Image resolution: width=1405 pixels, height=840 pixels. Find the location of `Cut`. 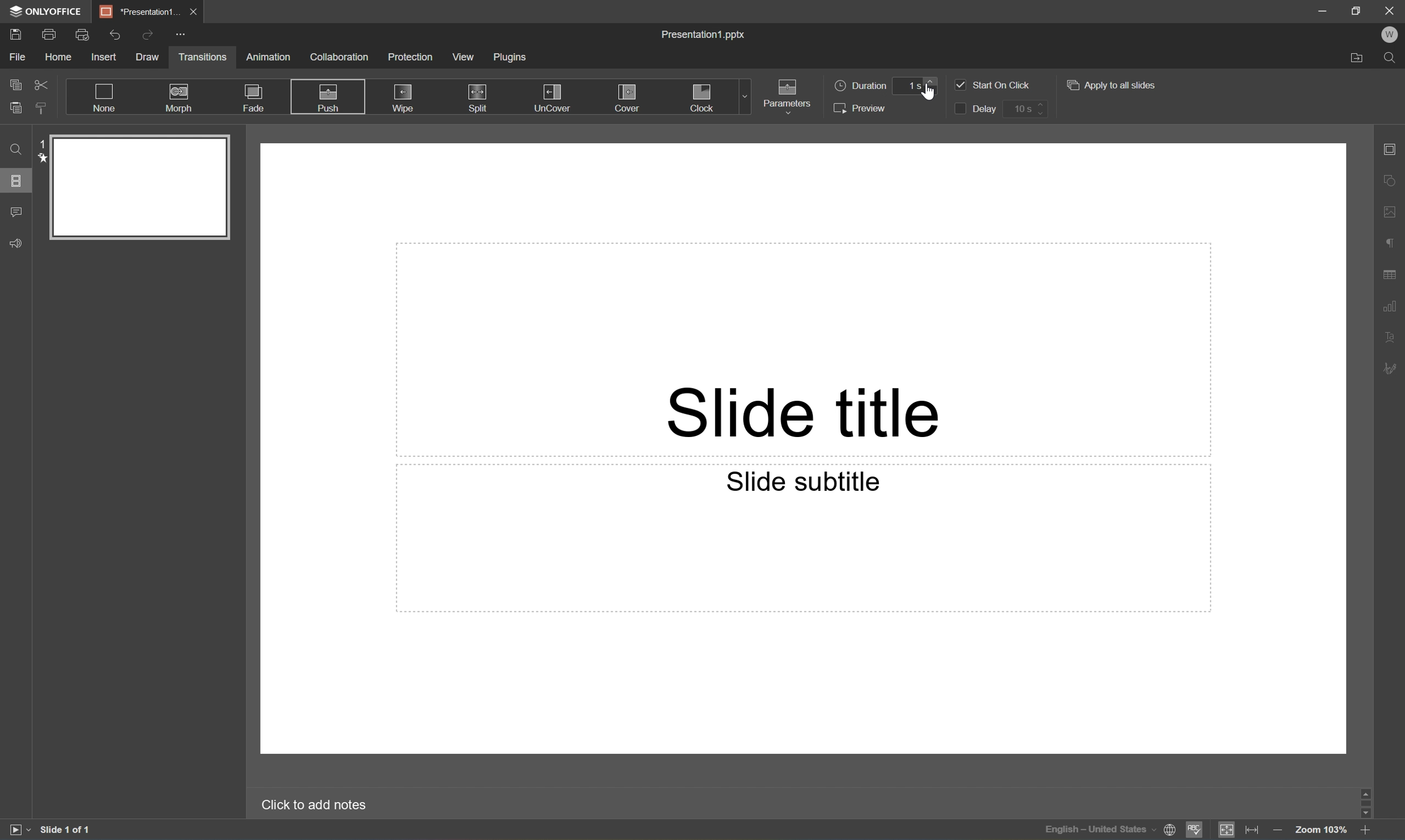

Cut is located at coordinates (41, 83).